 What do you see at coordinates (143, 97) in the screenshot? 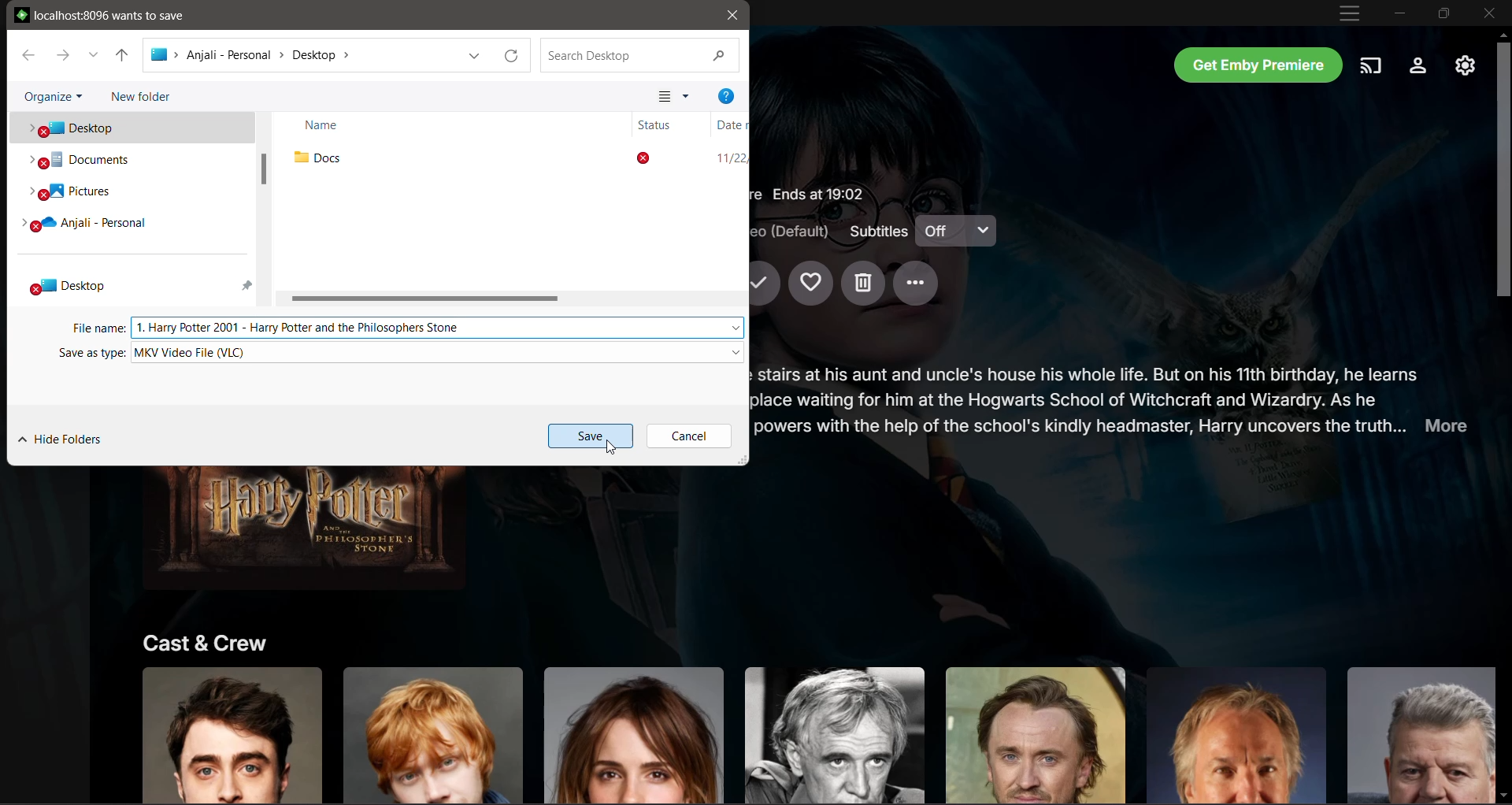
I see `Click to create New Folder` at bounding box center [143, 97].